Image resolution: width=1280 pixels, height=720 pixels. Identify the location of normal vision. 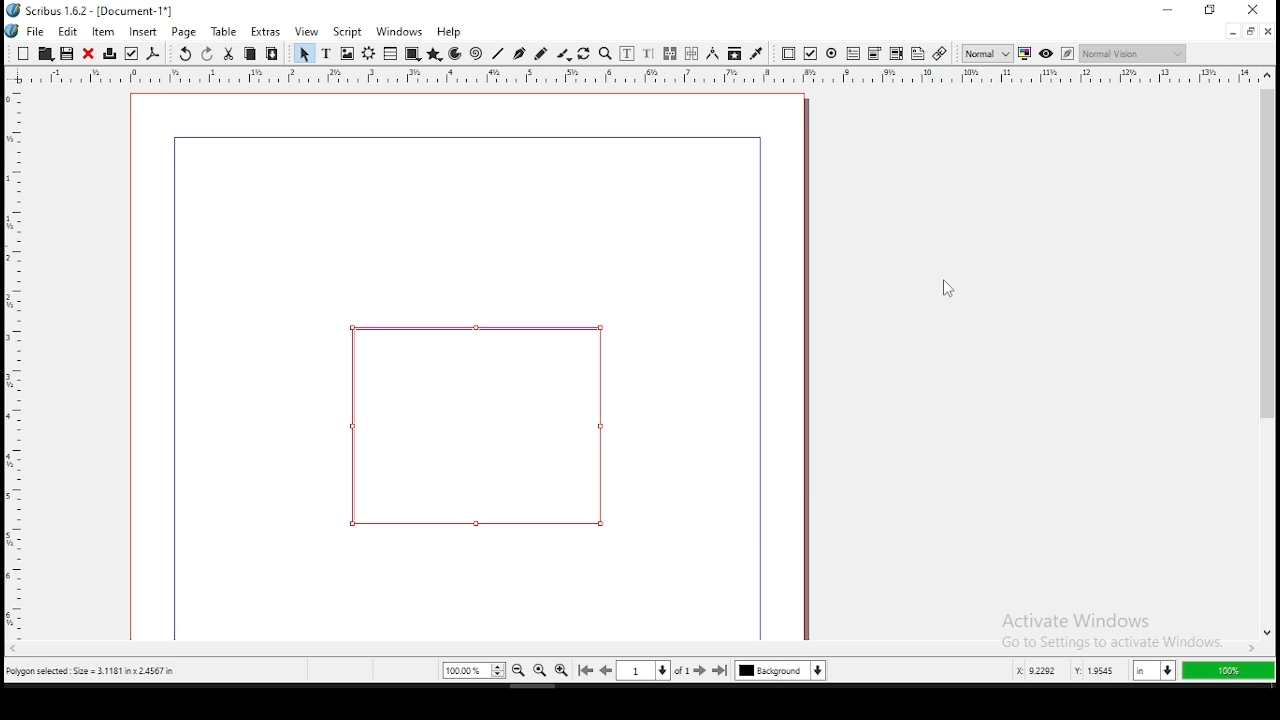
(1133, 54).